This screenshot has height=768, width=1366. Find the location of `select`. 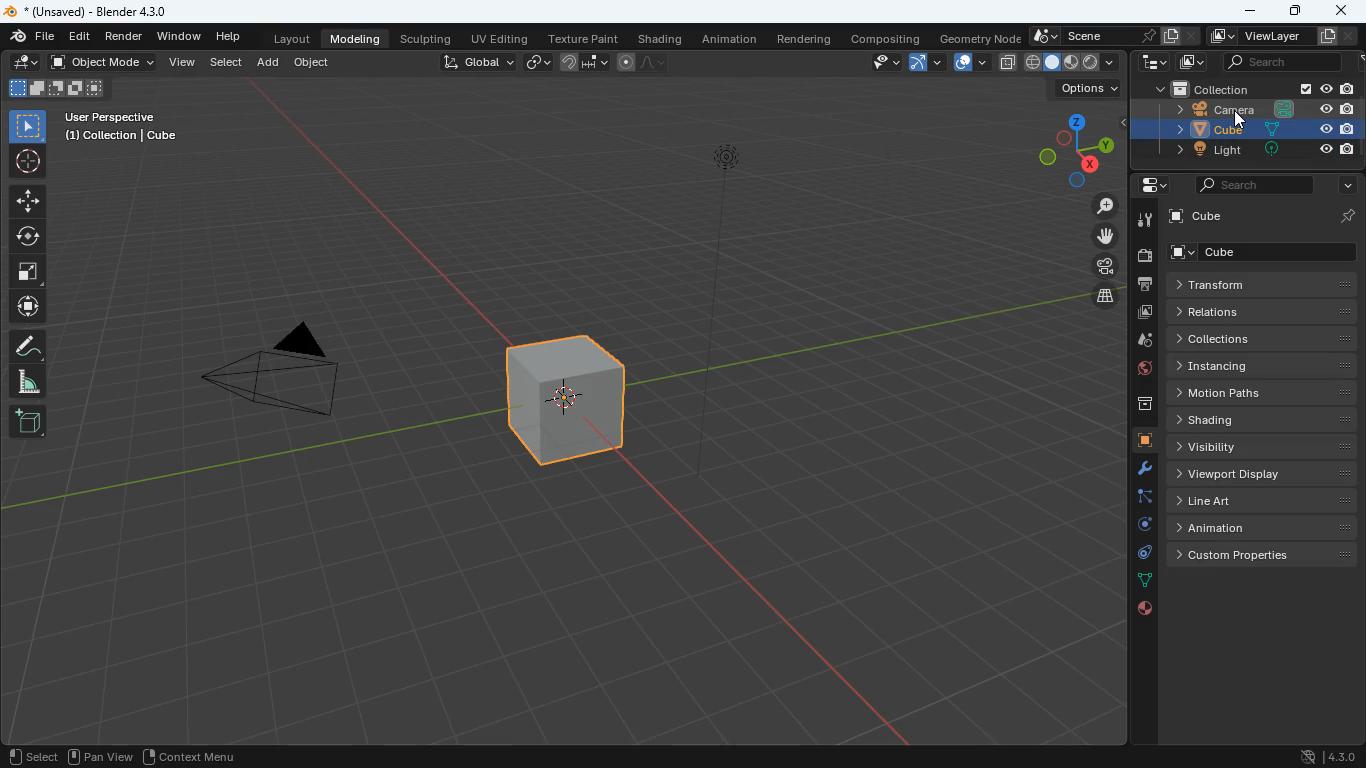

select is located at coordinates (24, 123).